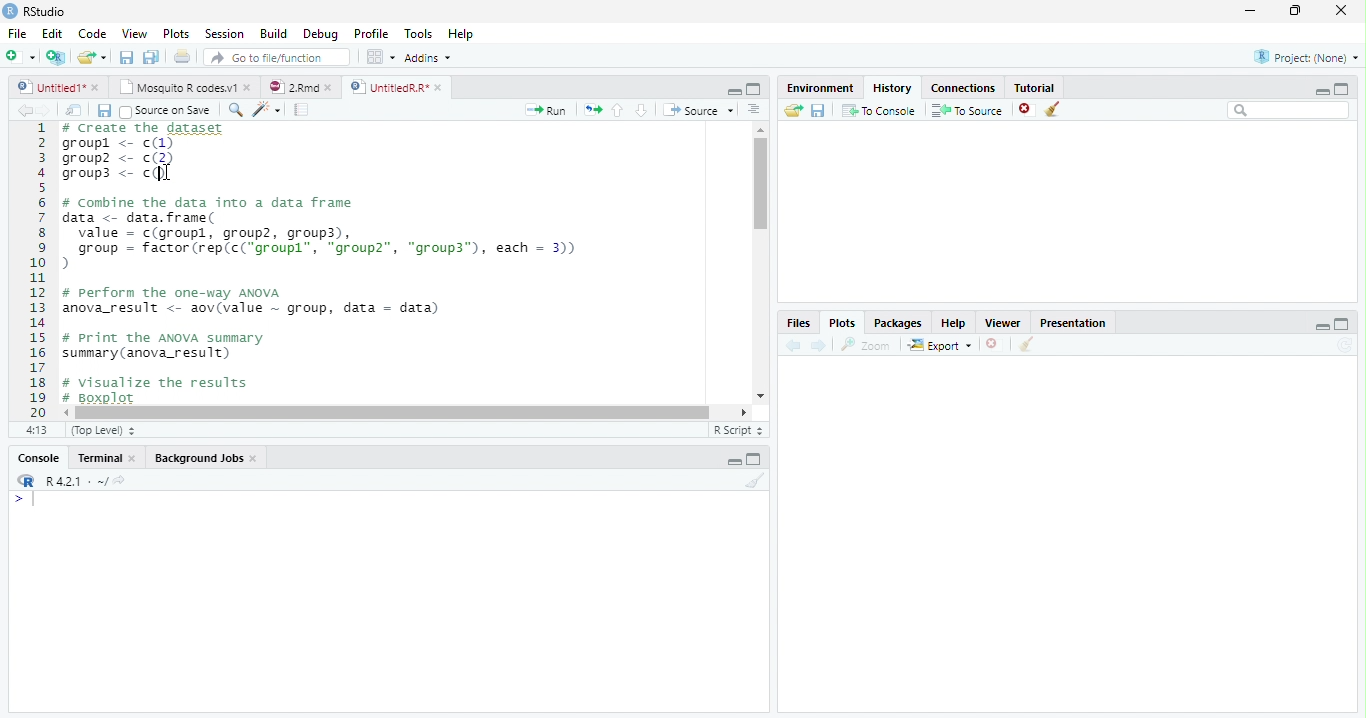 This screenshot has height=718, width=1366. I want to click on Rstudio, so click(33, 9).